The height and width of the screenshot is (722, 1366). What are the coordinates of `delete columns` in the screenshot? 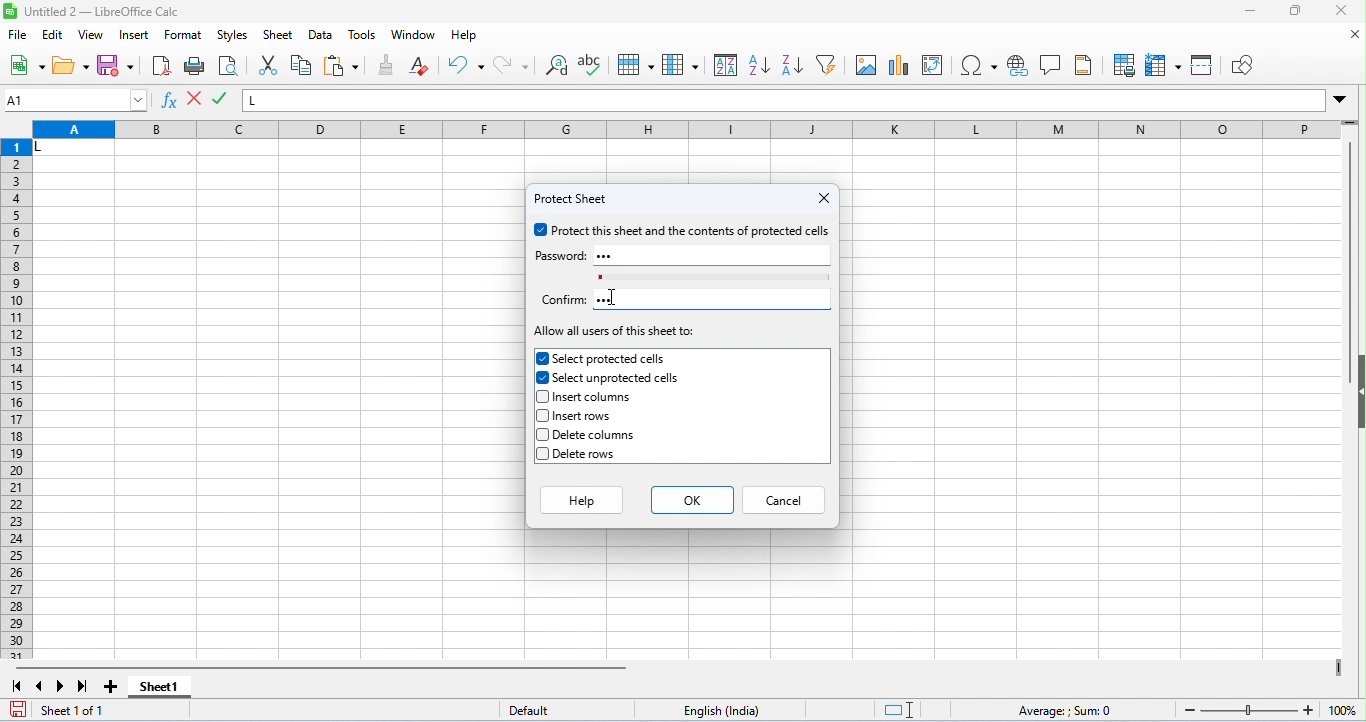 It's located at (589, 435).